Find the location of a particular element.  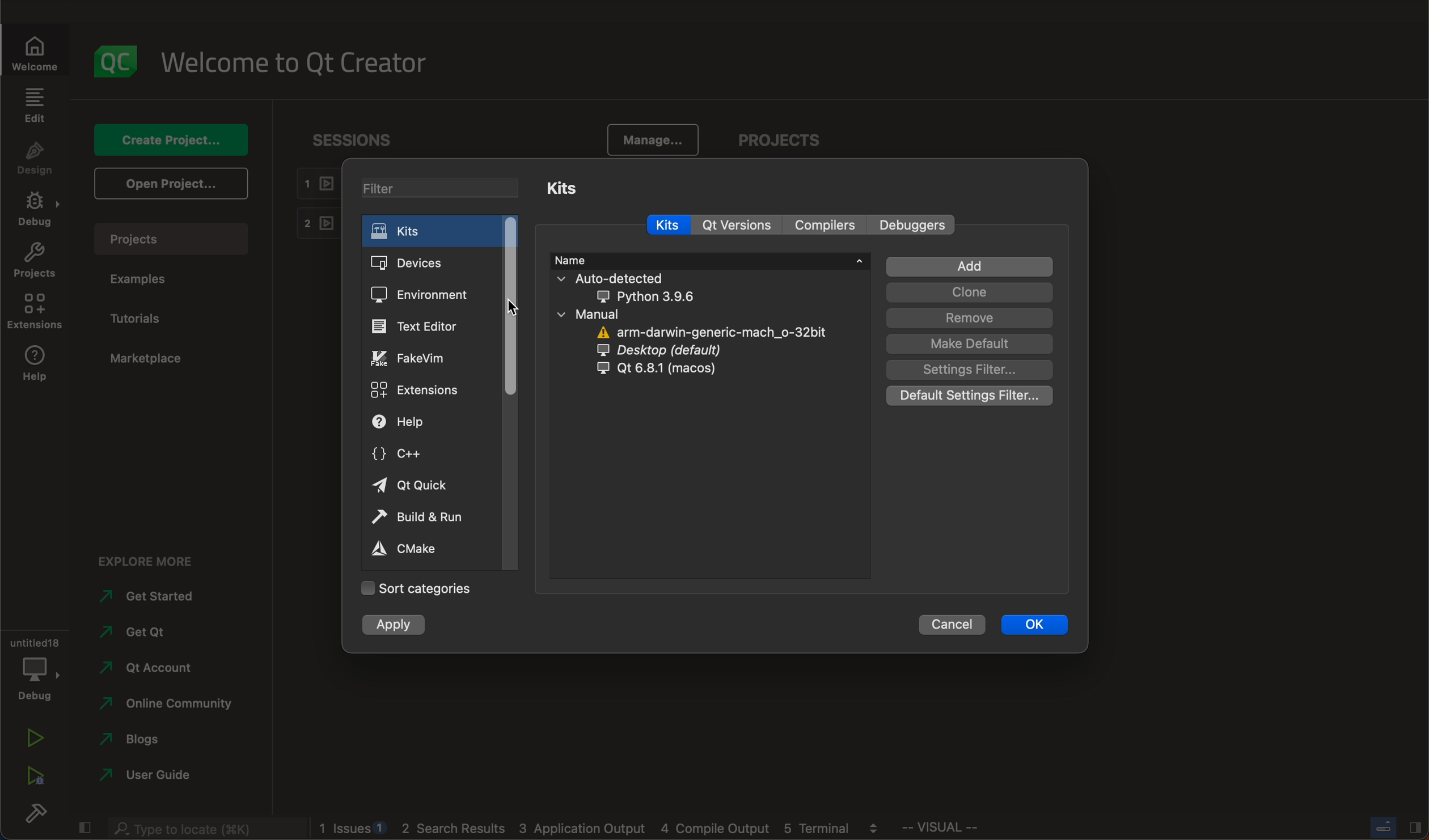

clone is located at coordinates (970, 292).